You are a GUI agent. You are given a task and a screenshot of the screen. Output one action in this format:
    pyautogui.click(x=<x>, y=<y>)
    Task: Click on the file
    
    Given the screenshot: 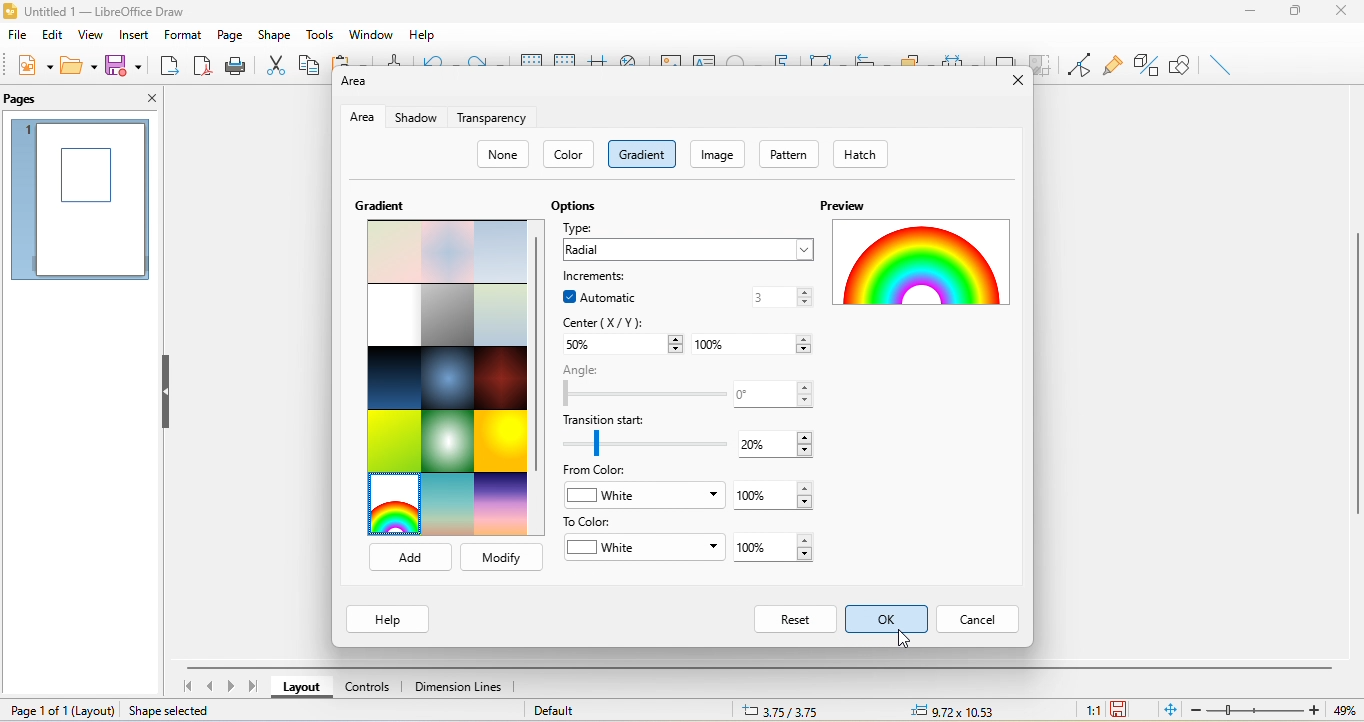 What is the action you would take?
    pyautogui.click(x=17, y=39)
    